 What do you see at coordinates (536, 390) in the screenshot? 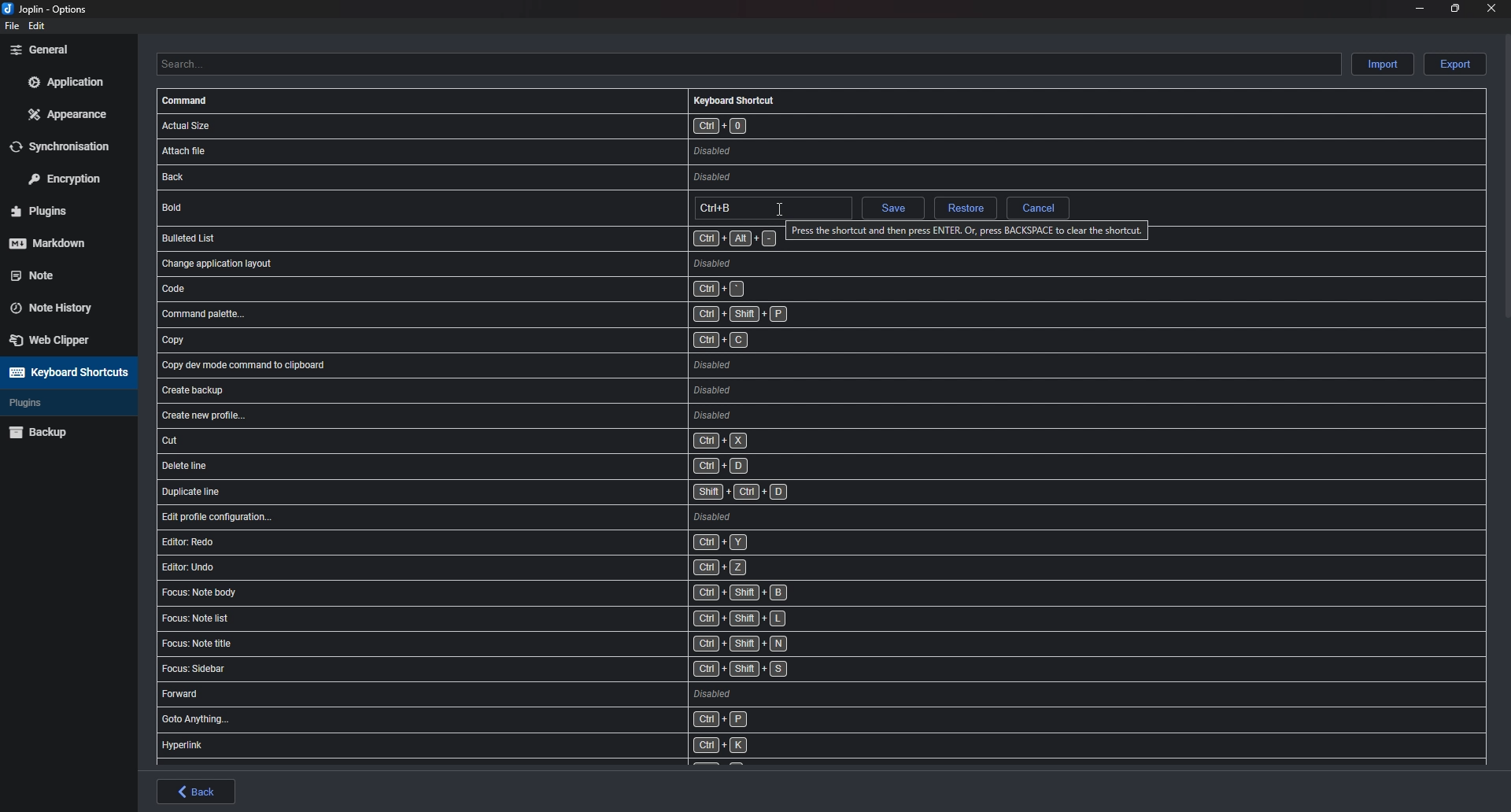
I see `shortcut` at bounding box center [536, 390].